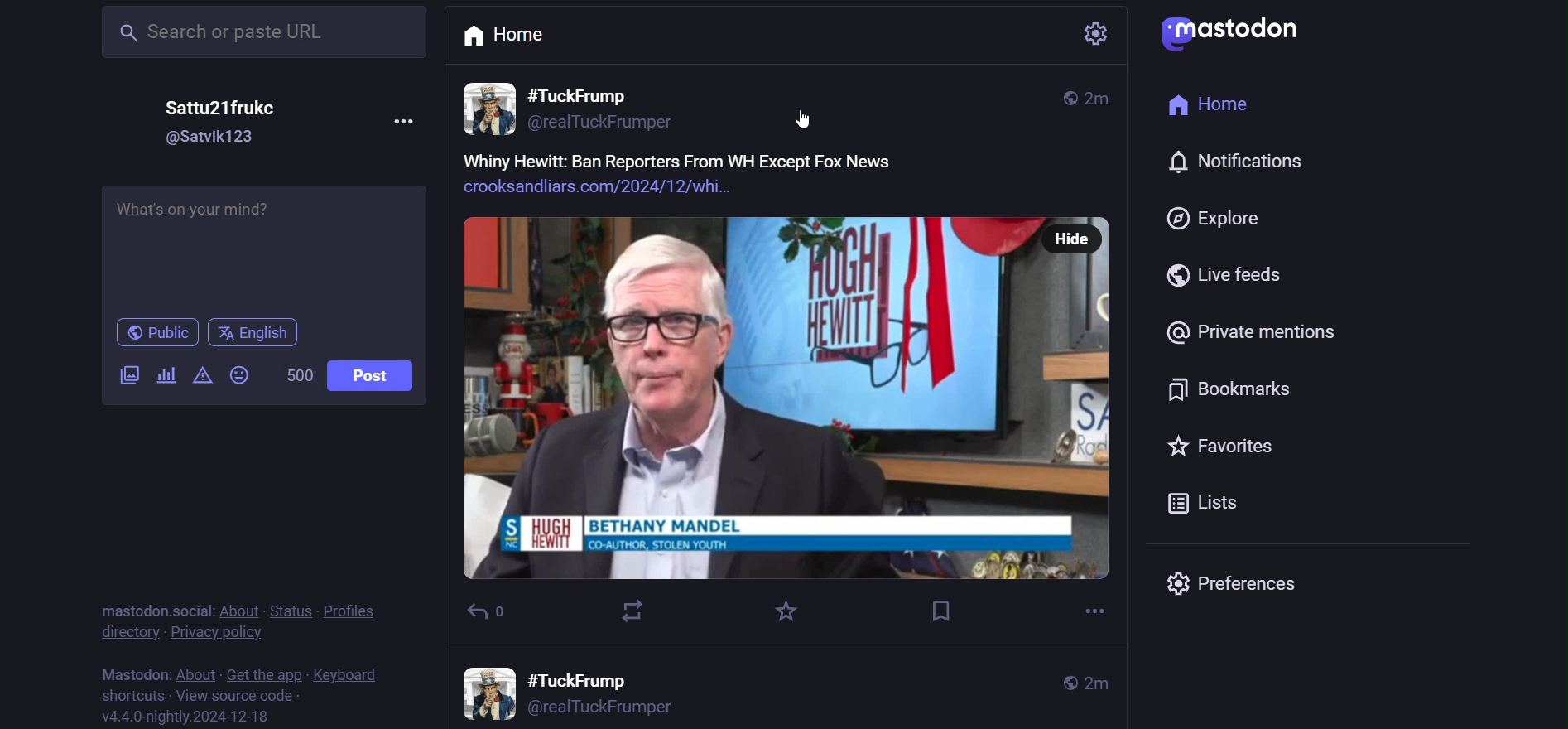 Image resolution: width=1568 pixels, height=729 pixels. What do you see at coordinates (799, 117) in the screenshot?
I see `cursor` at bounding box center [799, 117].